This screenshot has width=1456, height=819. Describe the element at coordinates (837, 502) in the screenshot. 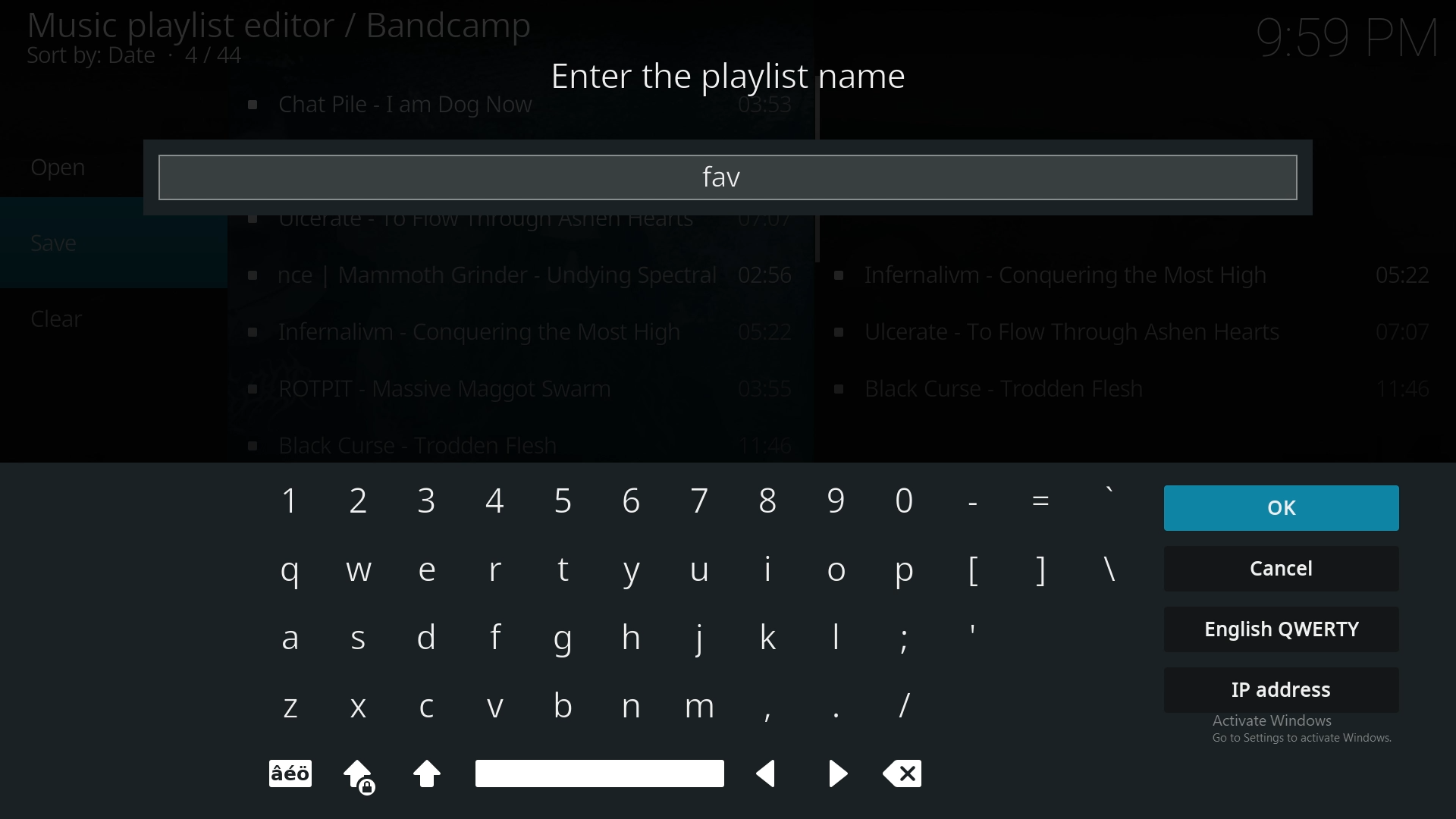

I see `keyboard input` at that location.